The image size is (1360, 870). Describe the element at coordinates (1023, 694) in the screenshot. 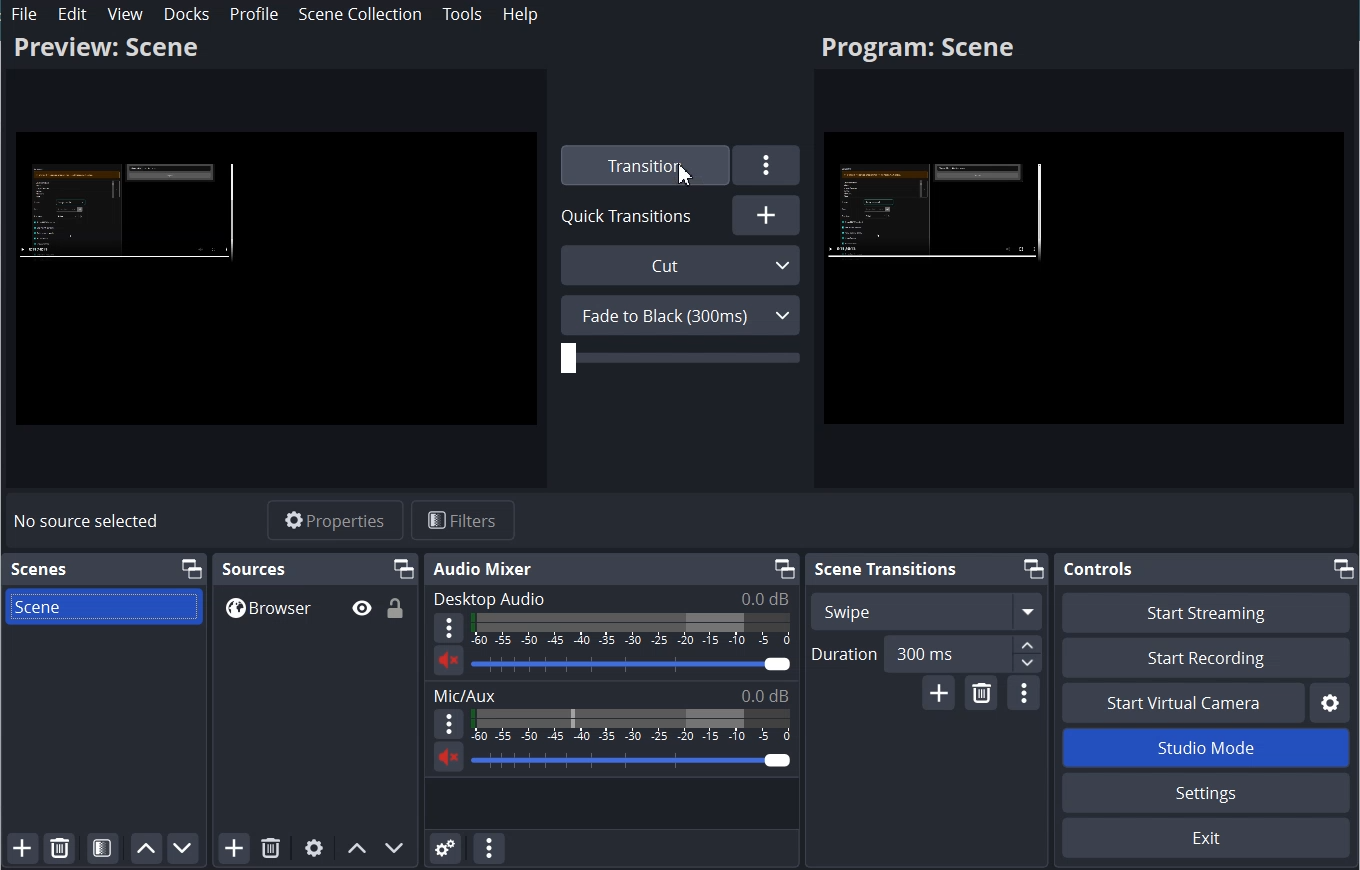

I see `Transition Properties` at that location.